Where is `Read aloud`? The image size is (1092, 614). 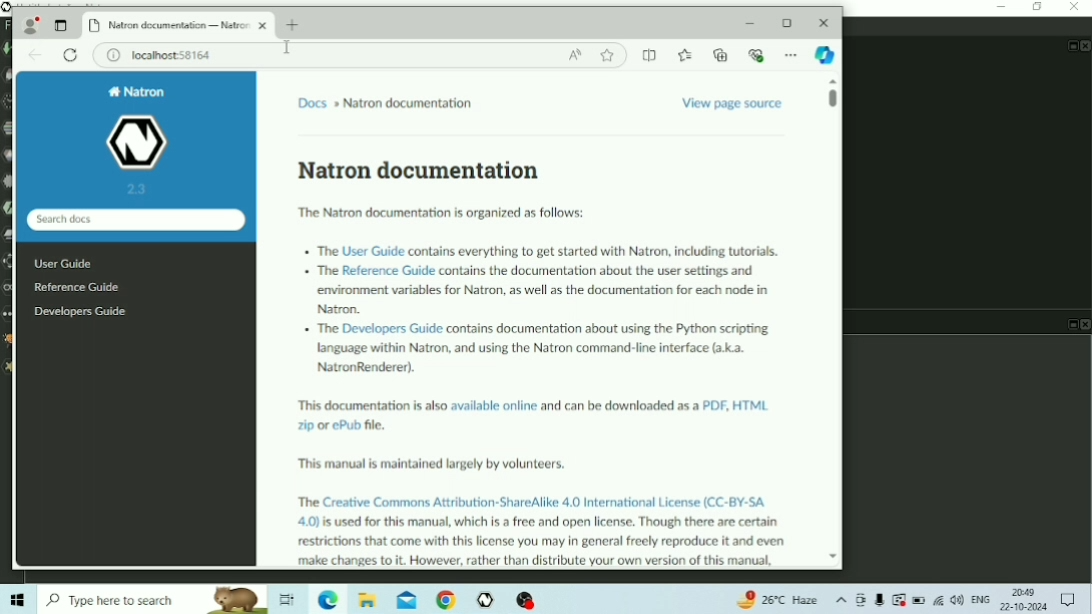 Read aloud is located at coordinates (576, 55).